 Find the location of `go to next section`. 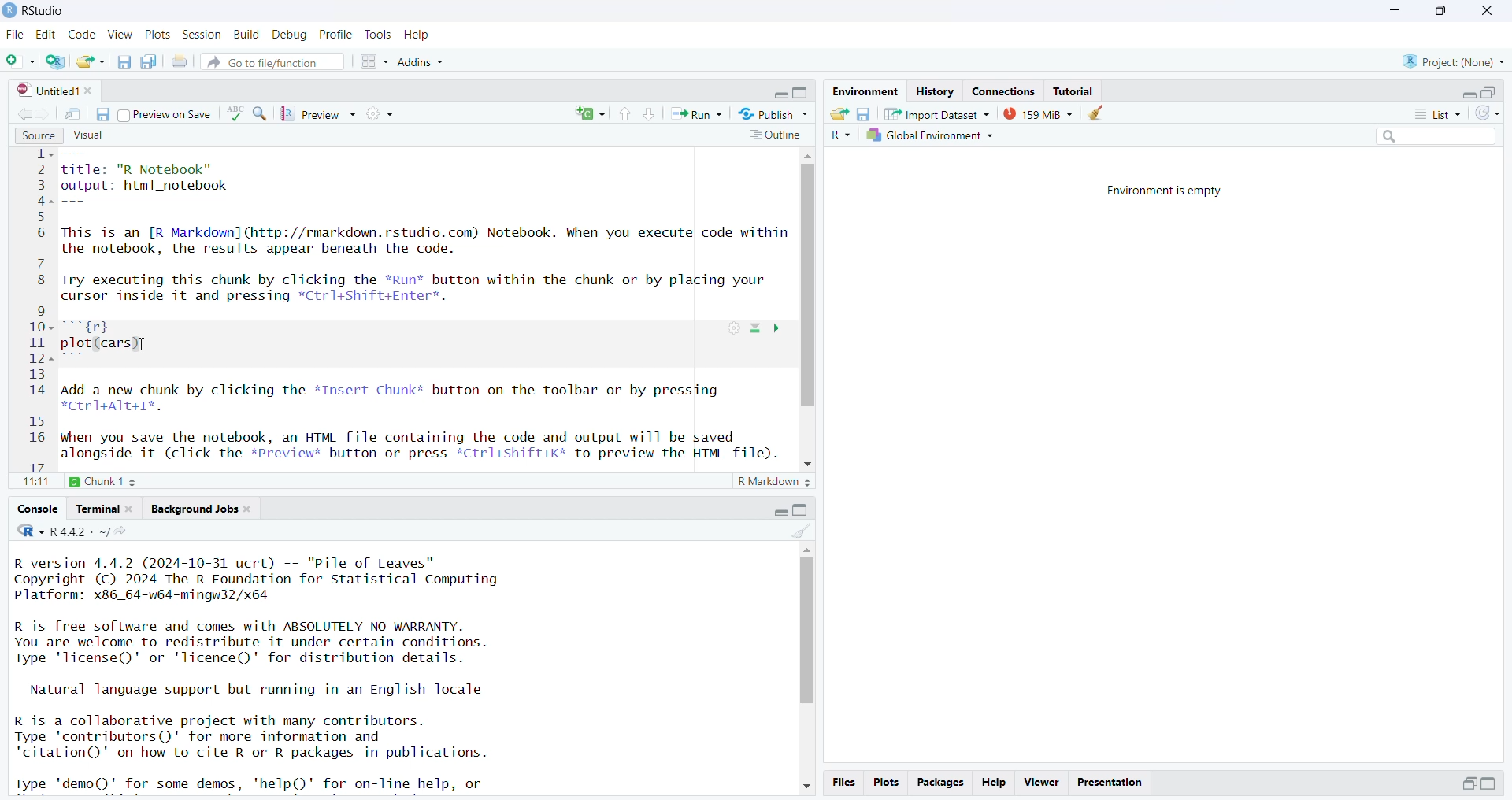

go to next section is located at coordinates (651, 116).